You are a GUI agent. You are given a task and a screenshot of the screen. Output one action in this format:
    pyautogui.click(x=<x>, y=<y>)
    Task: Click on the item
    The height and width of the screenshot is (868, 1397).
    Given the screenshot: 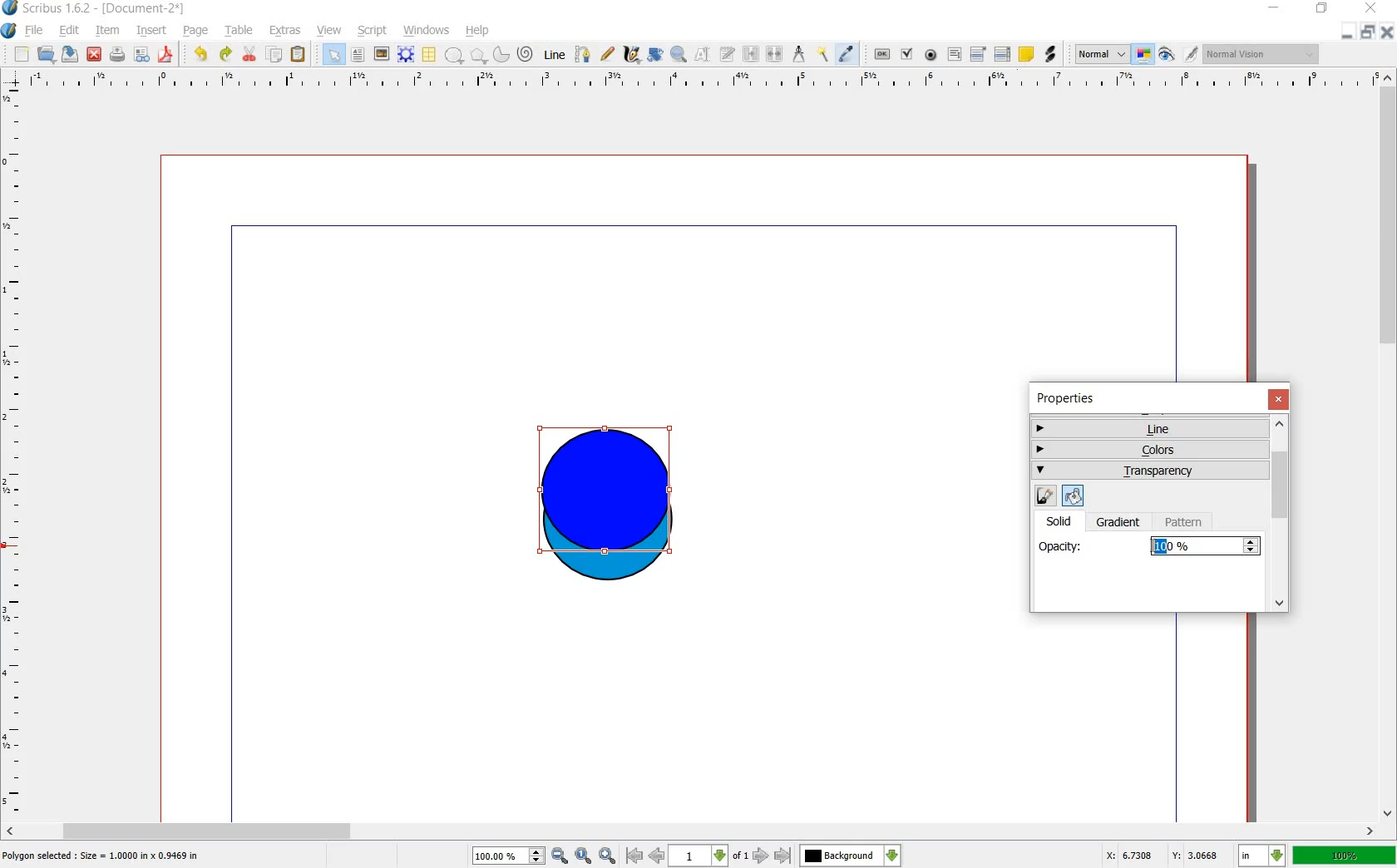 What is the action you would take?
    pyautogui.click(x=108, y=31)
    